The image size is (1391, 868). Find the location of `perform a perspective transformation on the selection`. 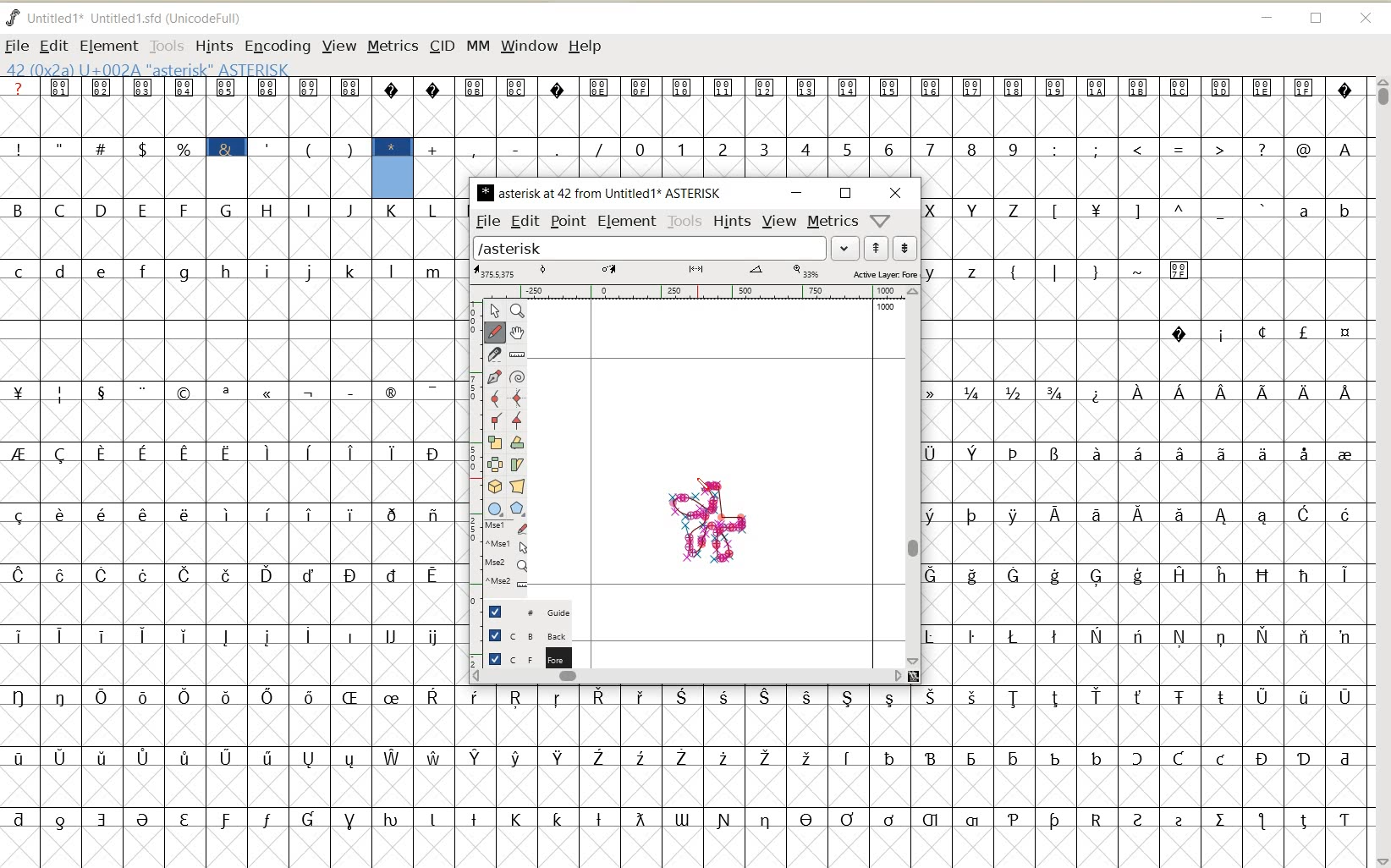

perform a perspective transformation on the selection is located at coordinates (517, 486).